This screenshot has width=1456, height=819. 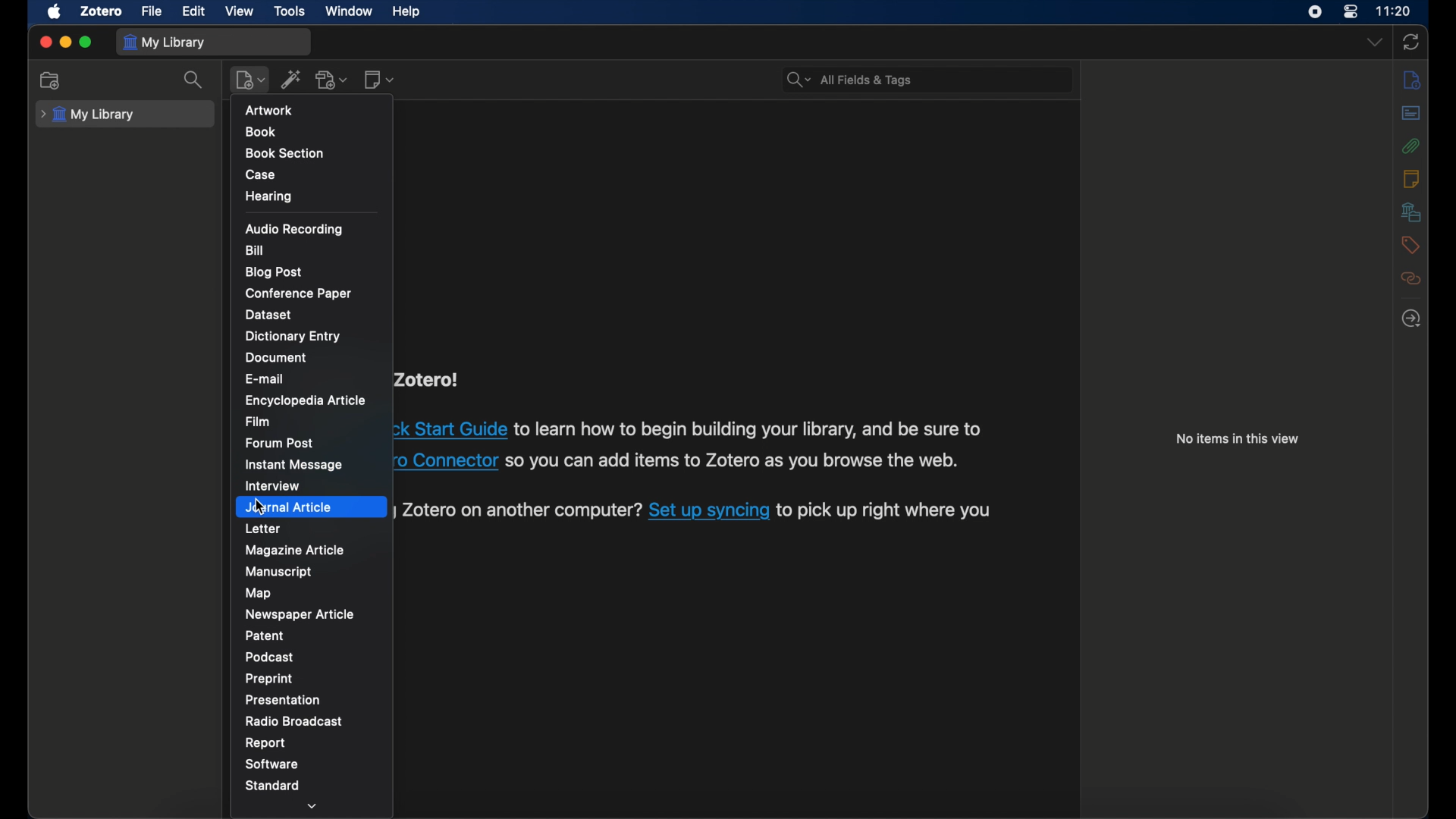 I want to click on journal article, so click(x=290, y=508).